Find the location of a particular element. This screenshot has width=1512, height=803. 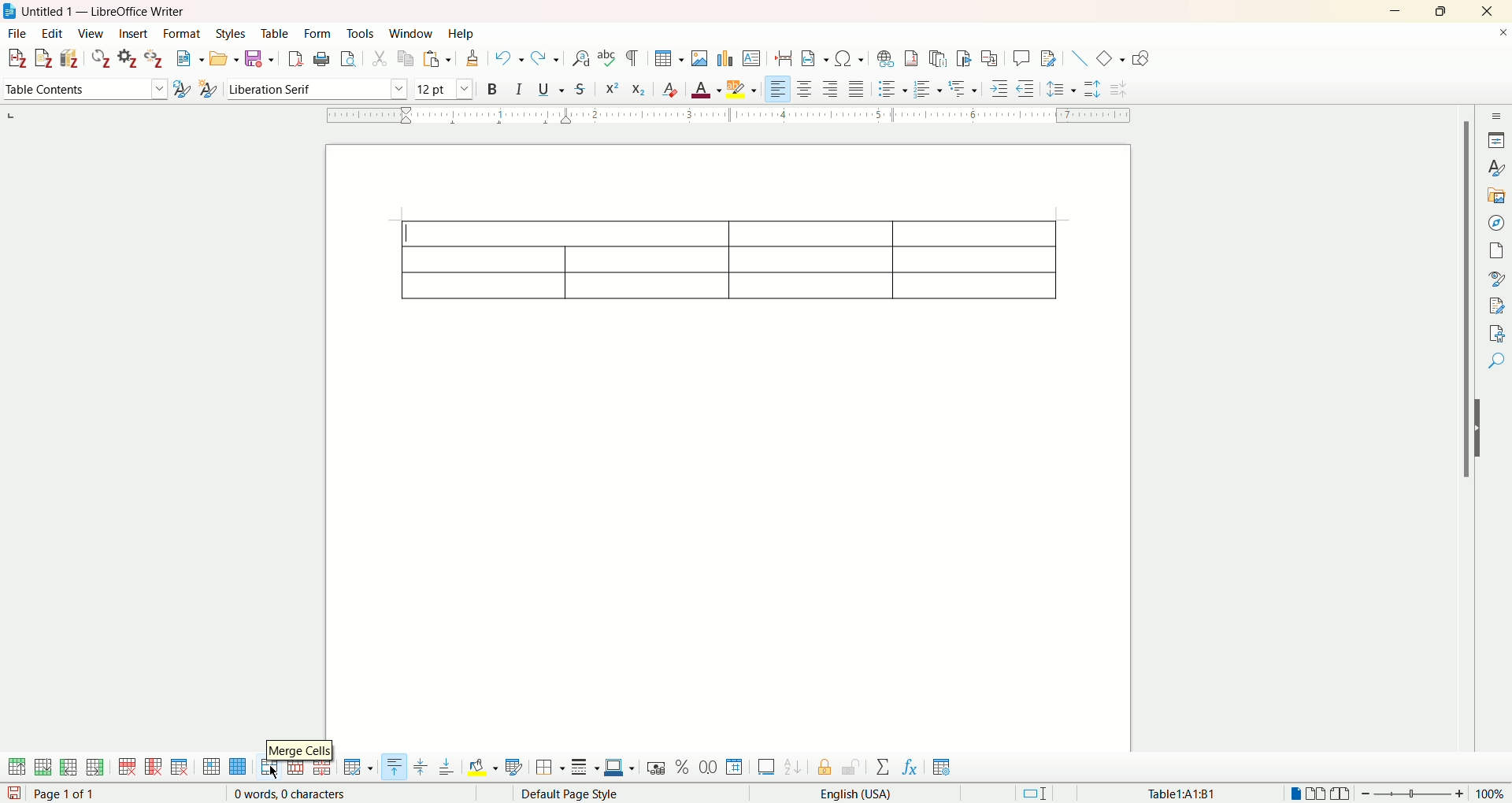

insert table is located at coordinates (669, 60).